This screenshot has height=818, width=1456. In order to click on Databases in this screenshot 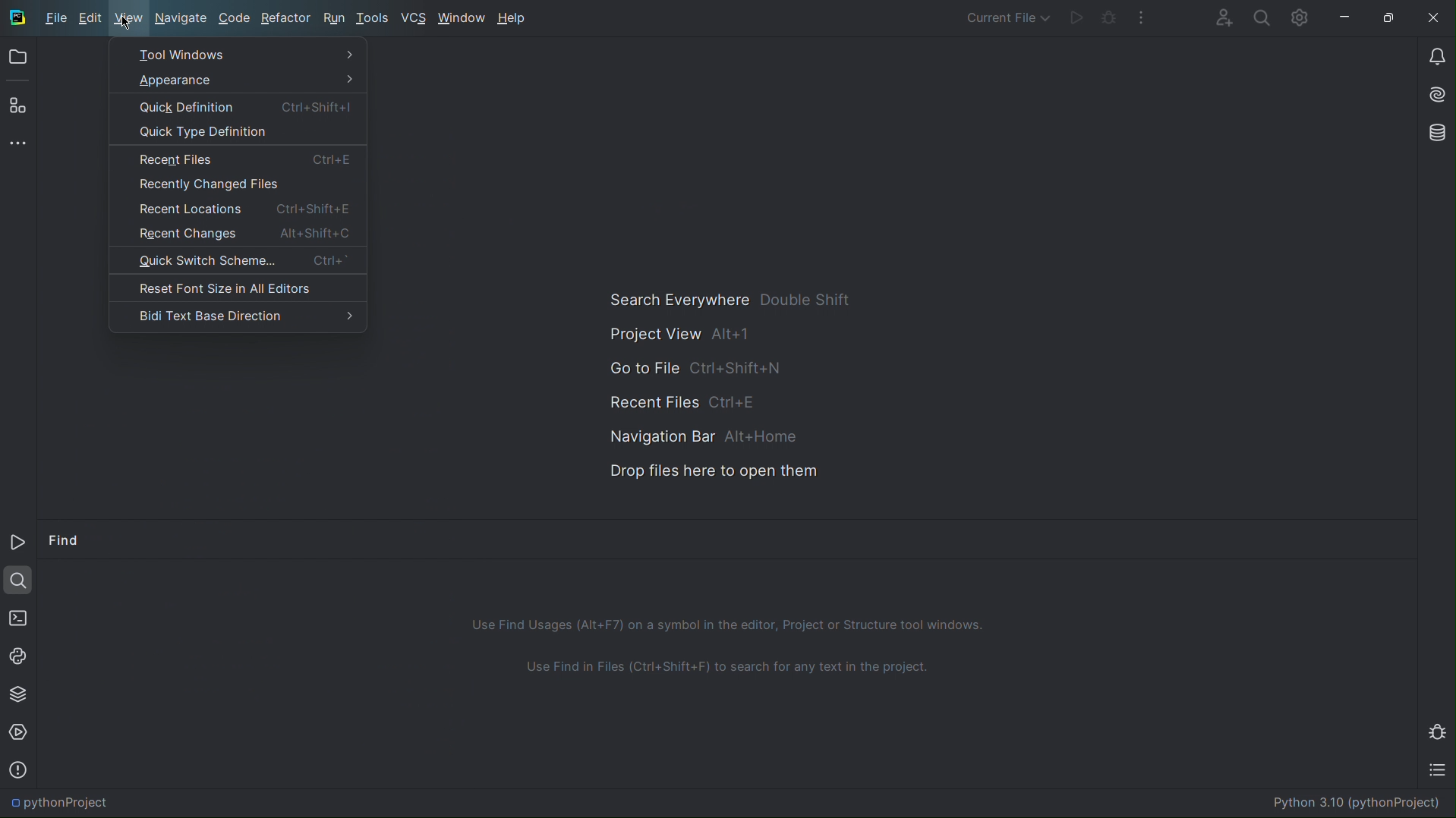, I will do `click(1434, 134)`.